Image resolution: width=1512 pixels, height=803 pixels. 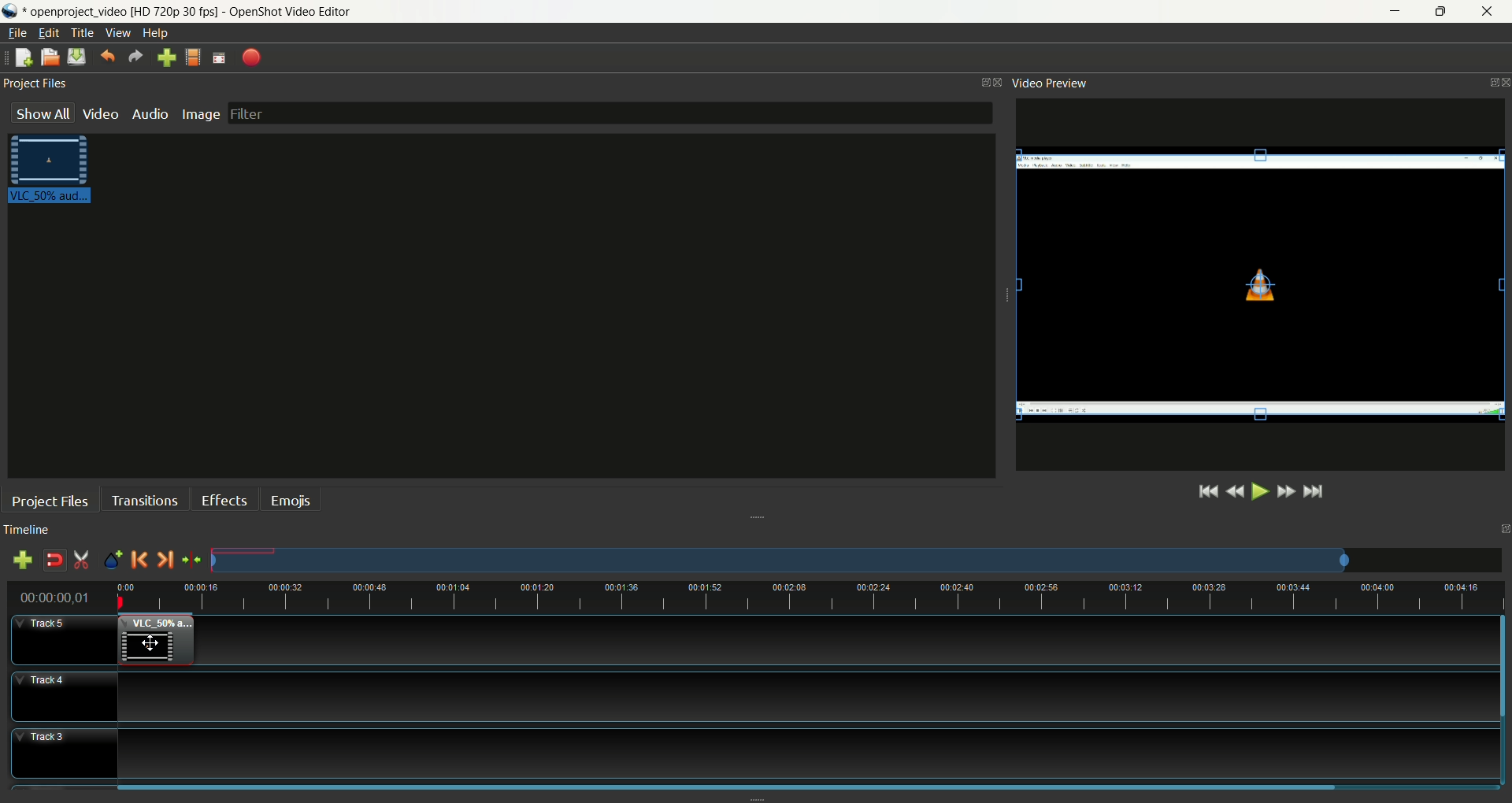 I want to click on transitions, so click(x=143, y=498).